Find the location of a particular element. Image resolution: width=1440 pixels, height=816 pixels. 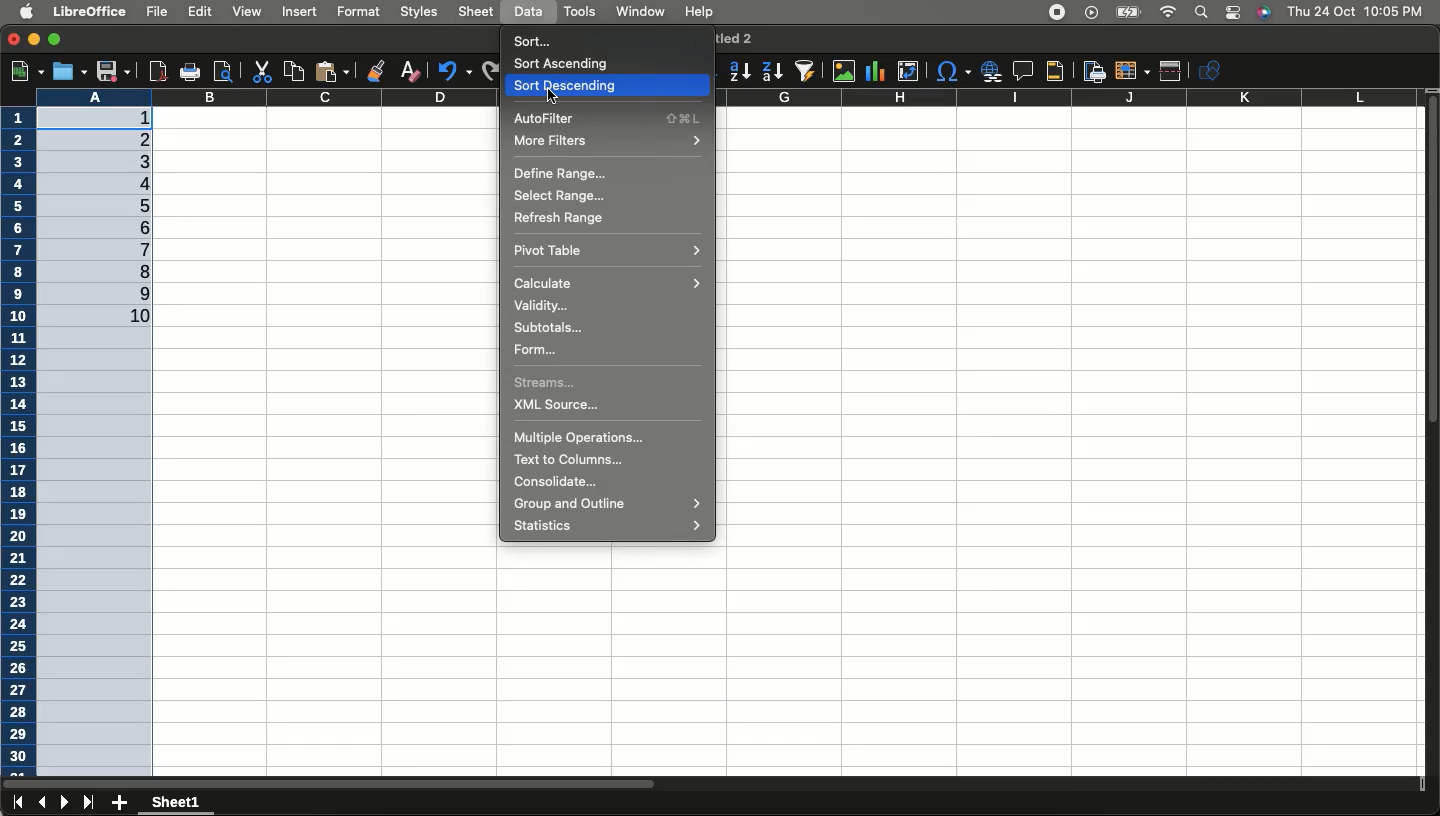

File is located at coordinates (155, 11).